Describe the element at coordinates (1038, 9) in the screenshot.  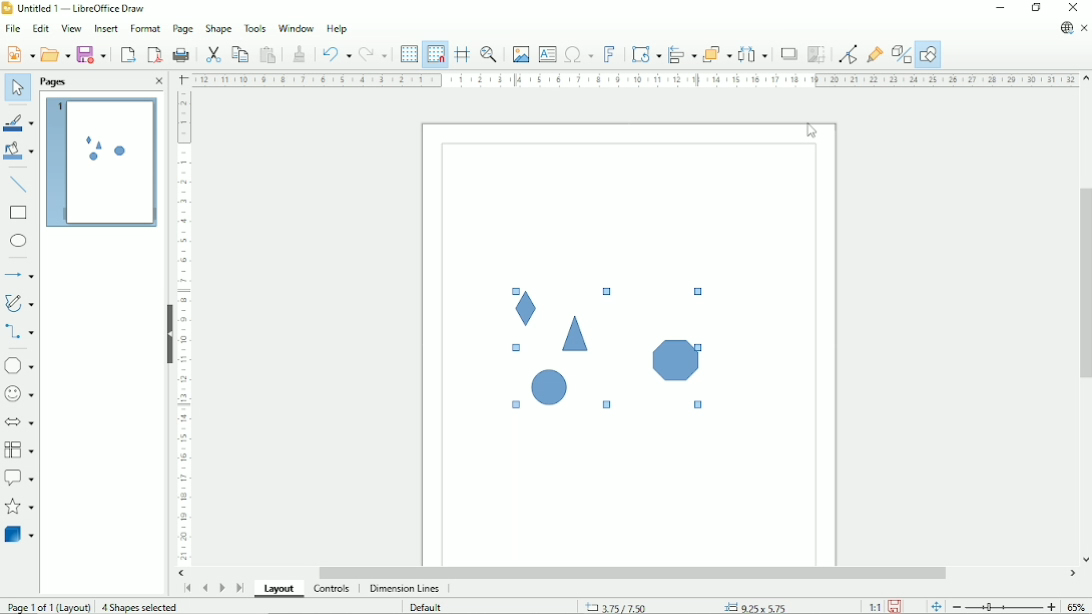
I see `Restore down` at that location.